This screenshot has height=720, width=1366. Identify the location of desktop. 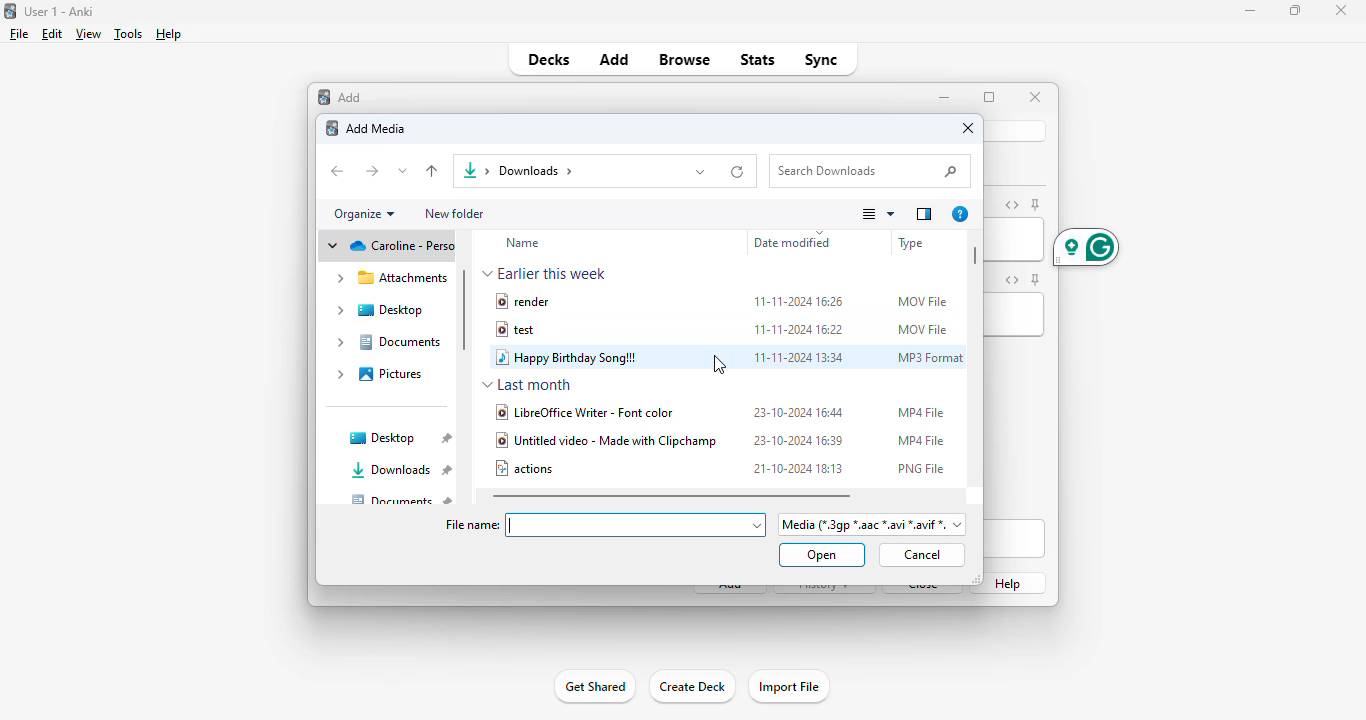
(400, 437).